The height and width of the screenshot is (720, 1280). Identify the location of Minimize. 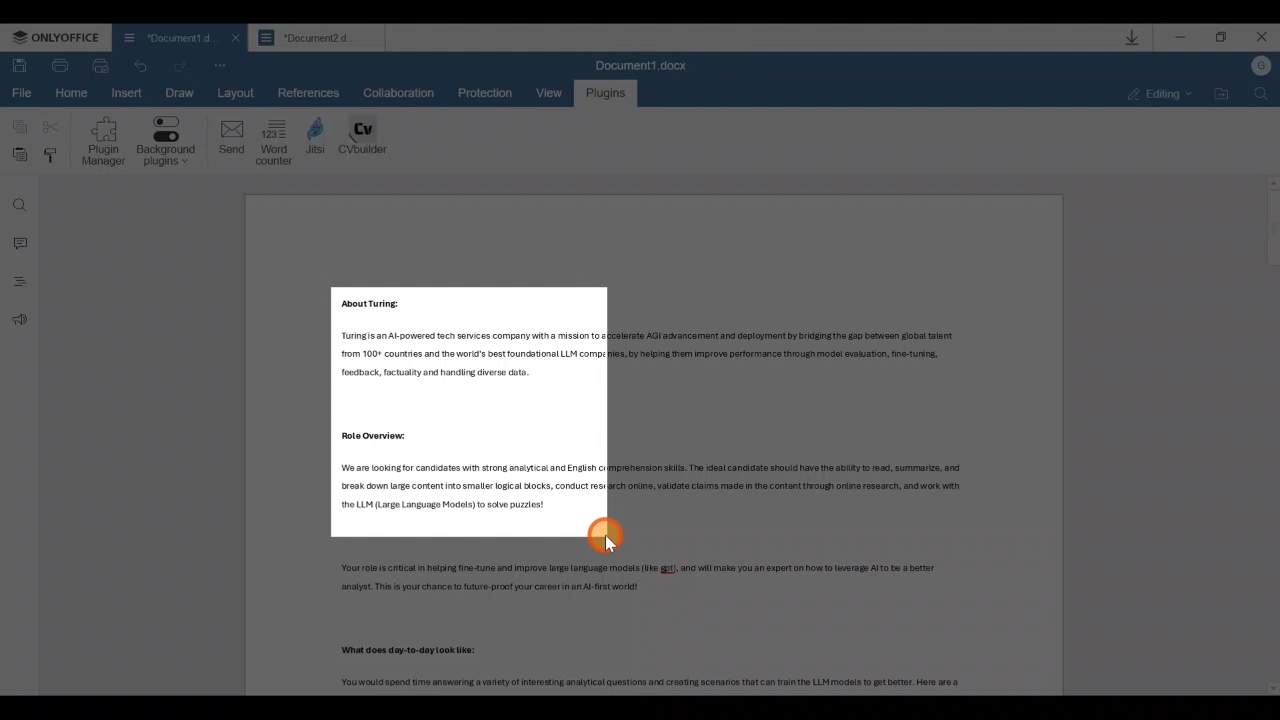
(1180, 40).